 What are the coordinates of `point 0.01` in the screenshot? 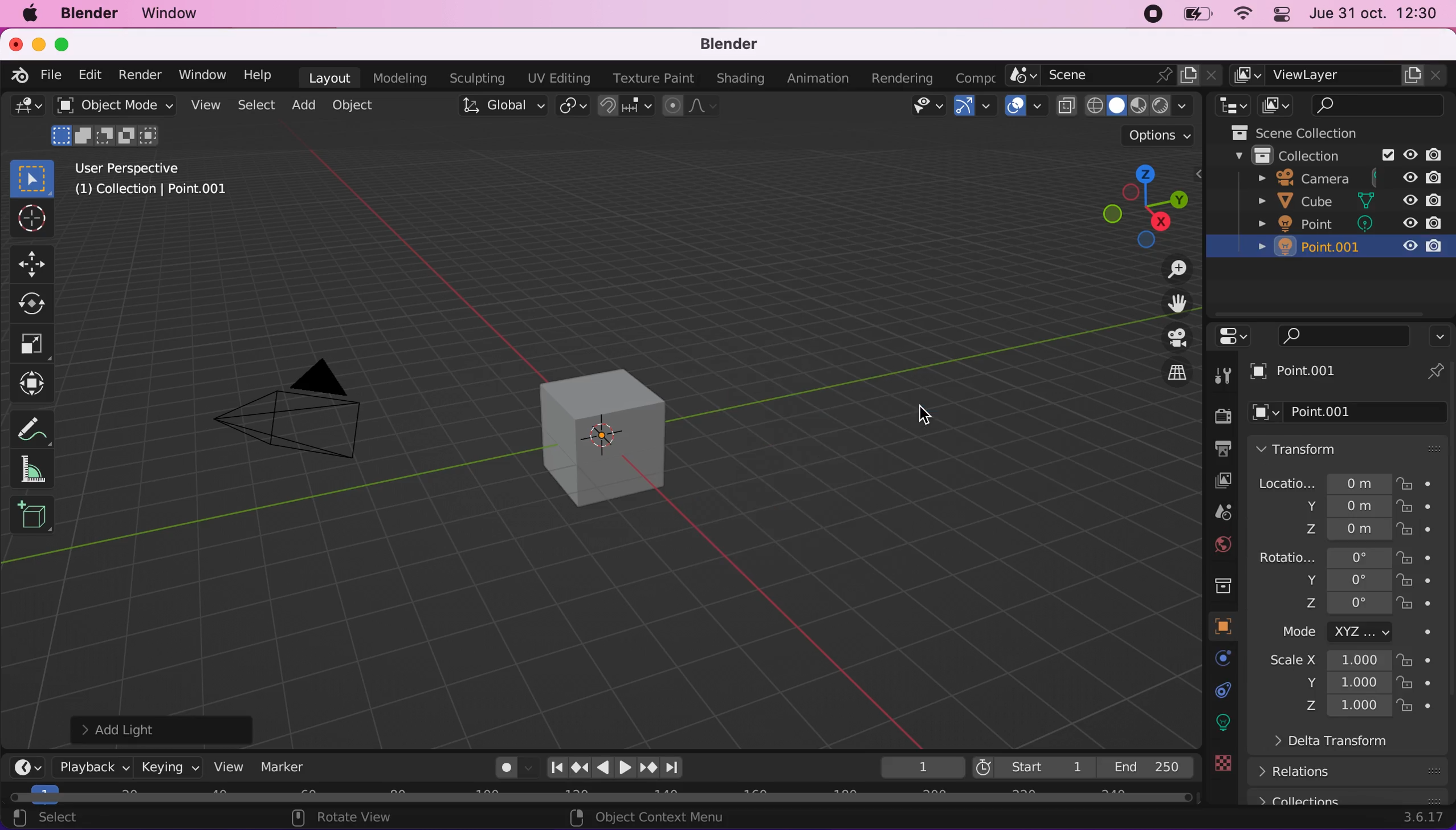 It's located at (1292, 248).